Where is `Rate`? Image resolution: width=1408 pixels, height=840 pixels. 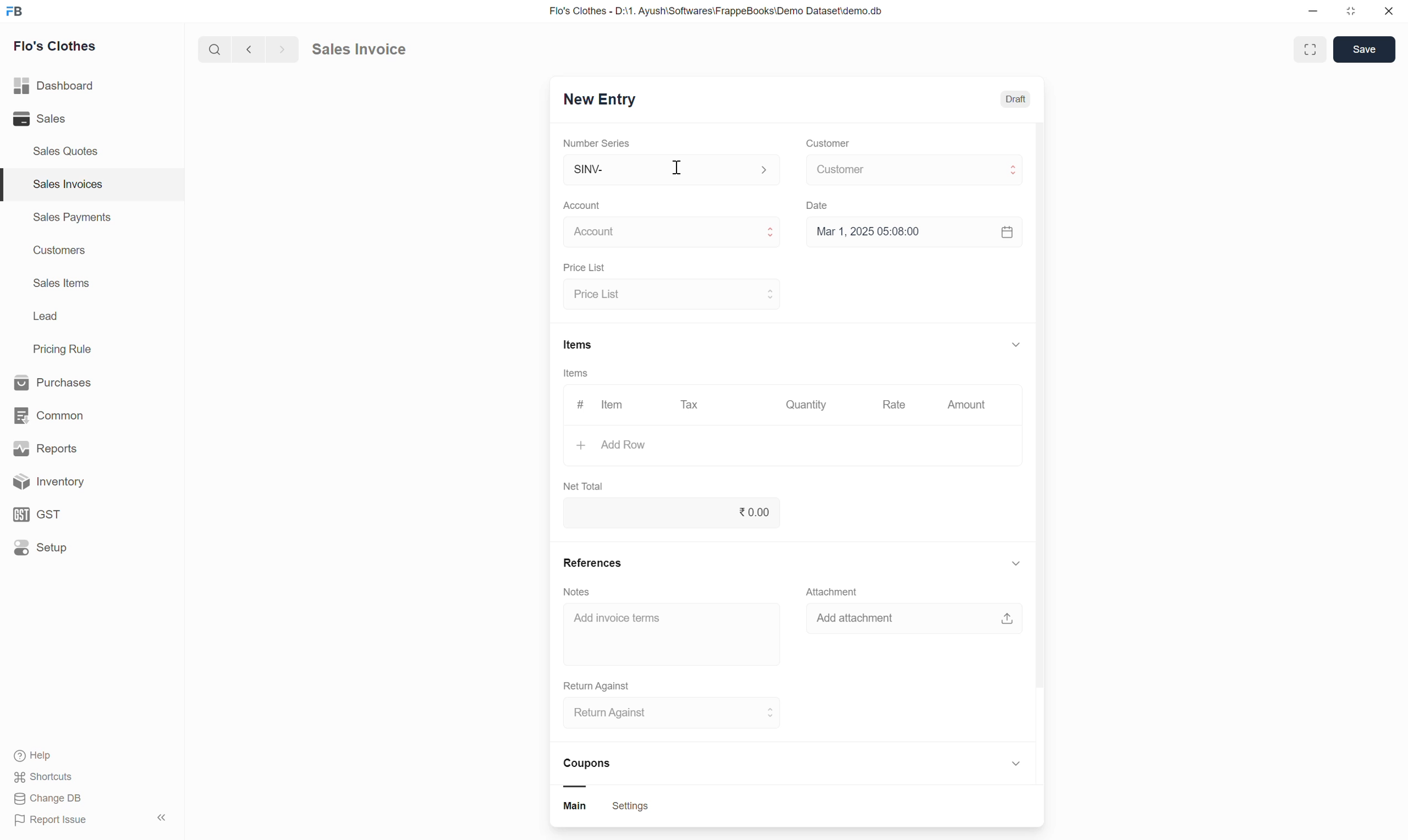 Rate is located at coordinates (896, 406).